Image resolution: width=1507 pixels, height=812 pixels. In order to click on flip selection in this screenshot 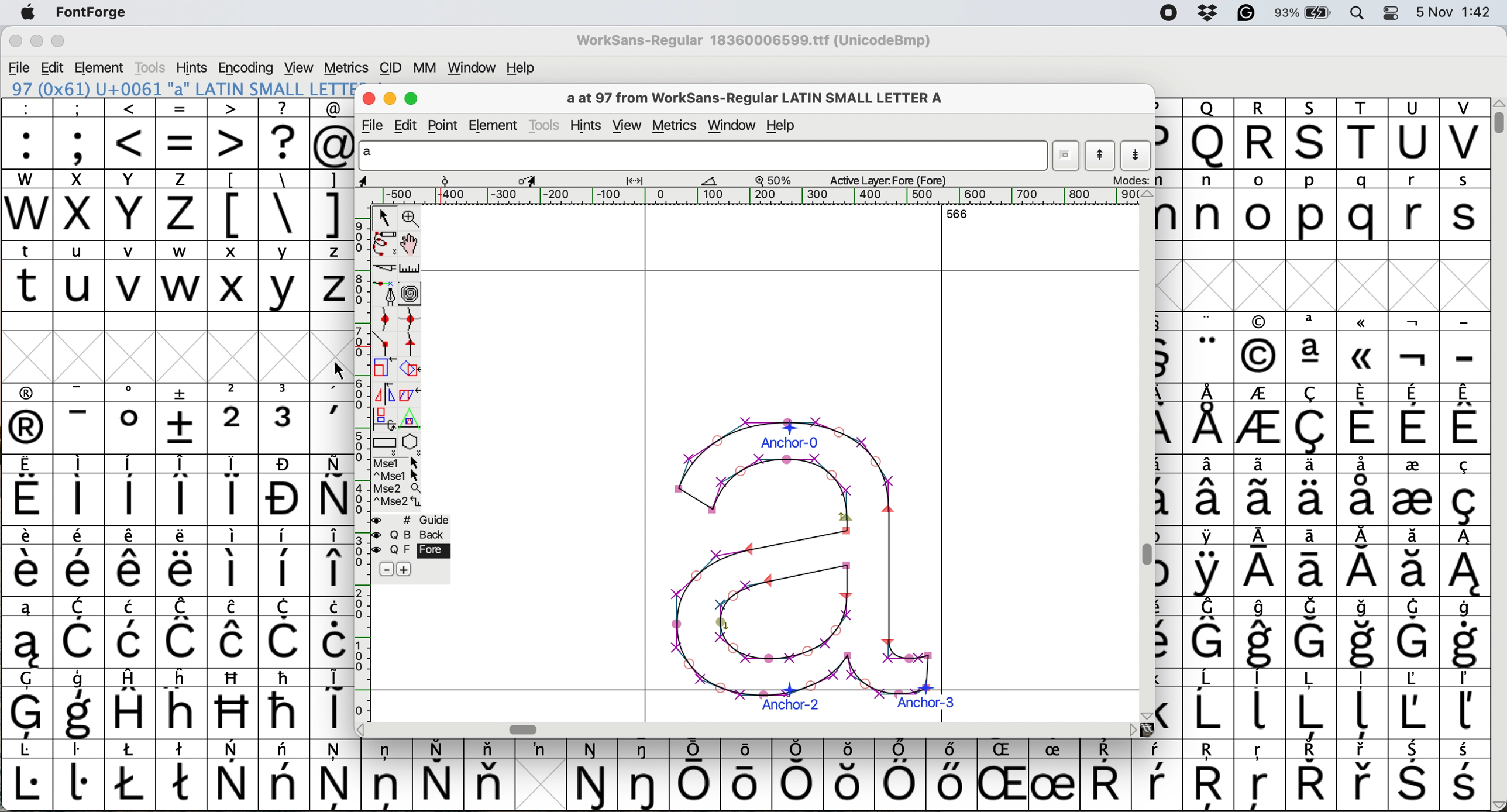, I will do `click(384, 392)`.